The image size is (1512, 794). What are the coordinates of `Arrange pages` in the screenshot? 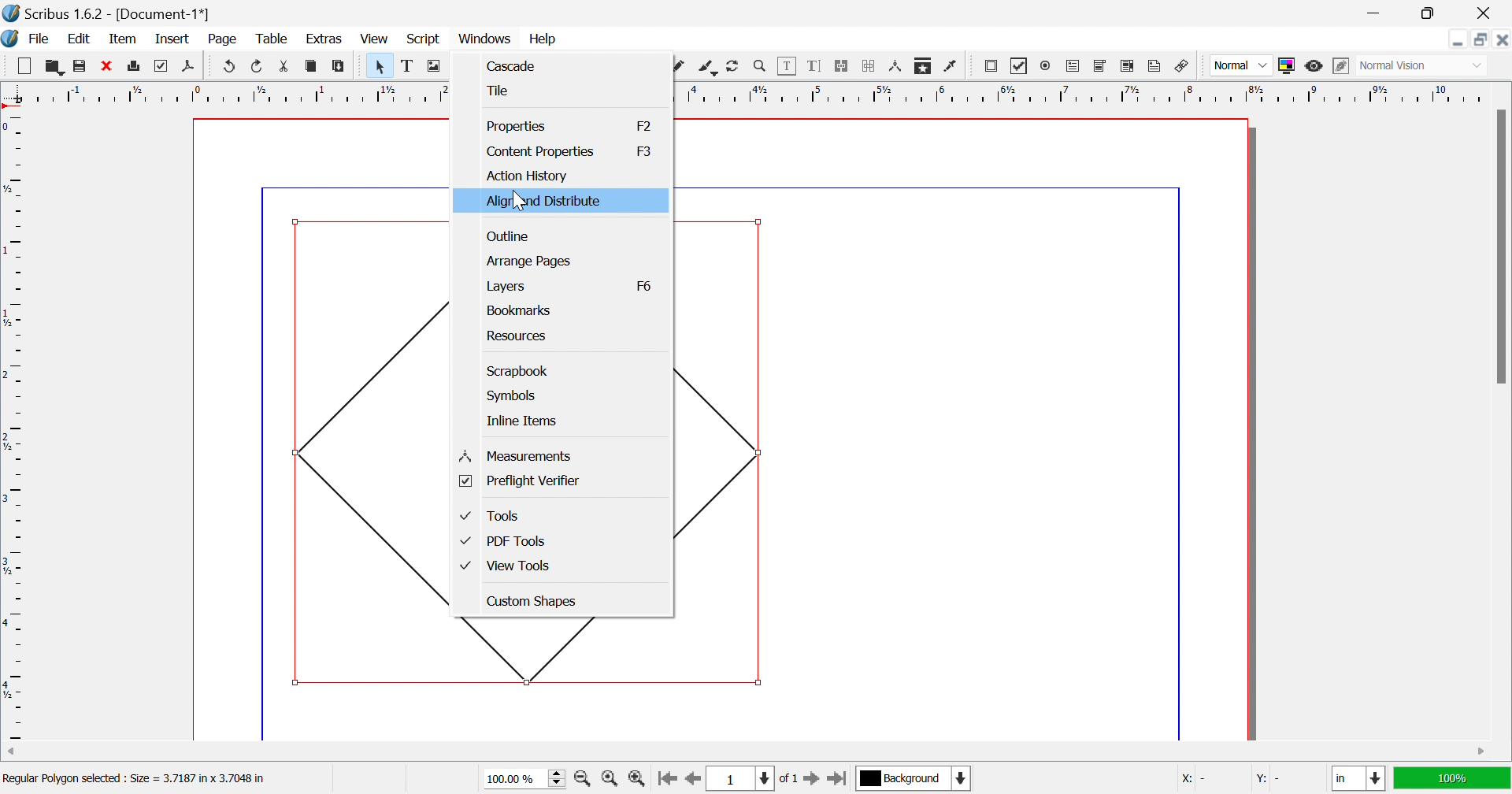 It's located at (529, 261).